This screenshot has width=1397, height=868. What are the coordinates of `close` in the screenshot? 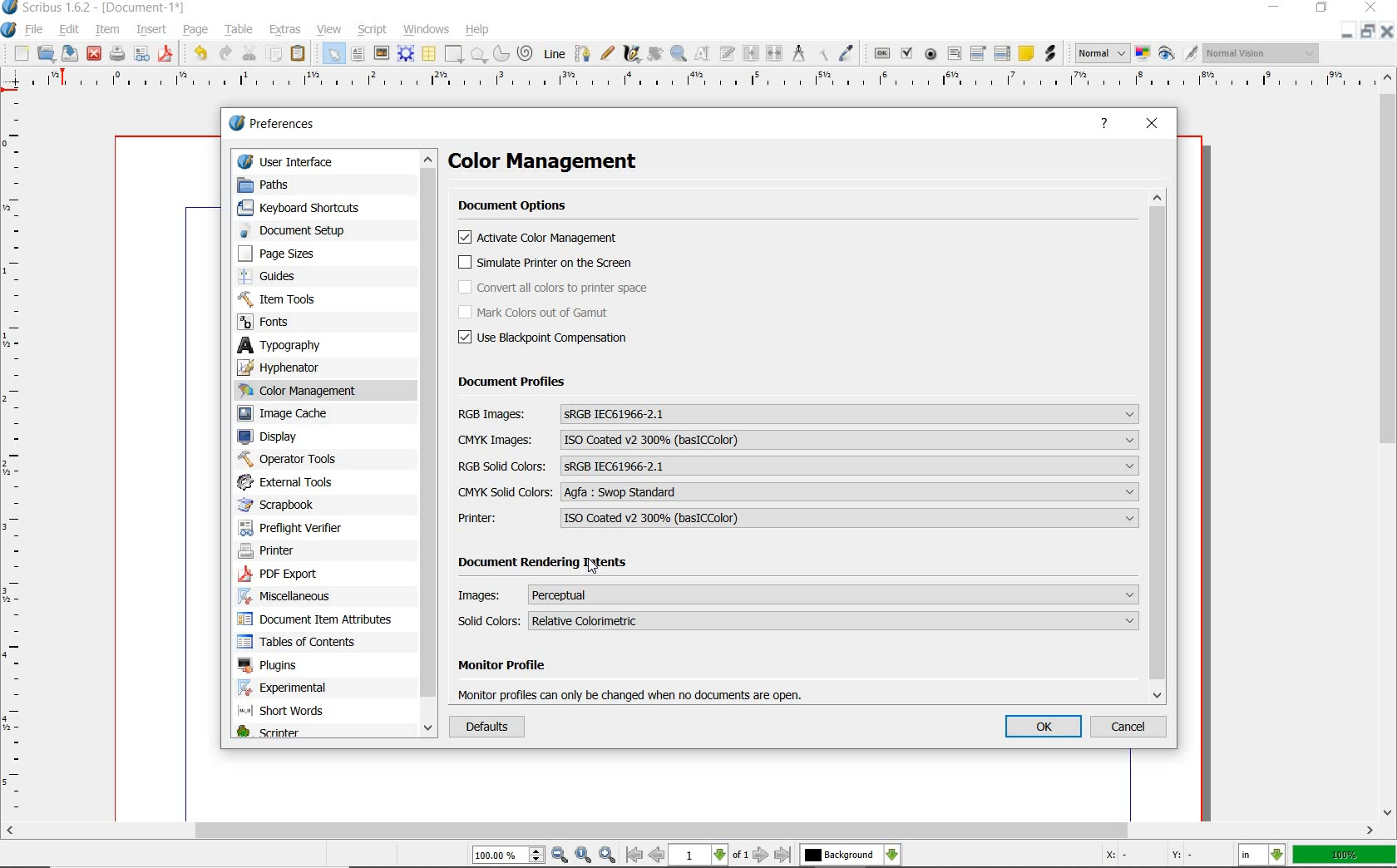 It's located at (94, 53).